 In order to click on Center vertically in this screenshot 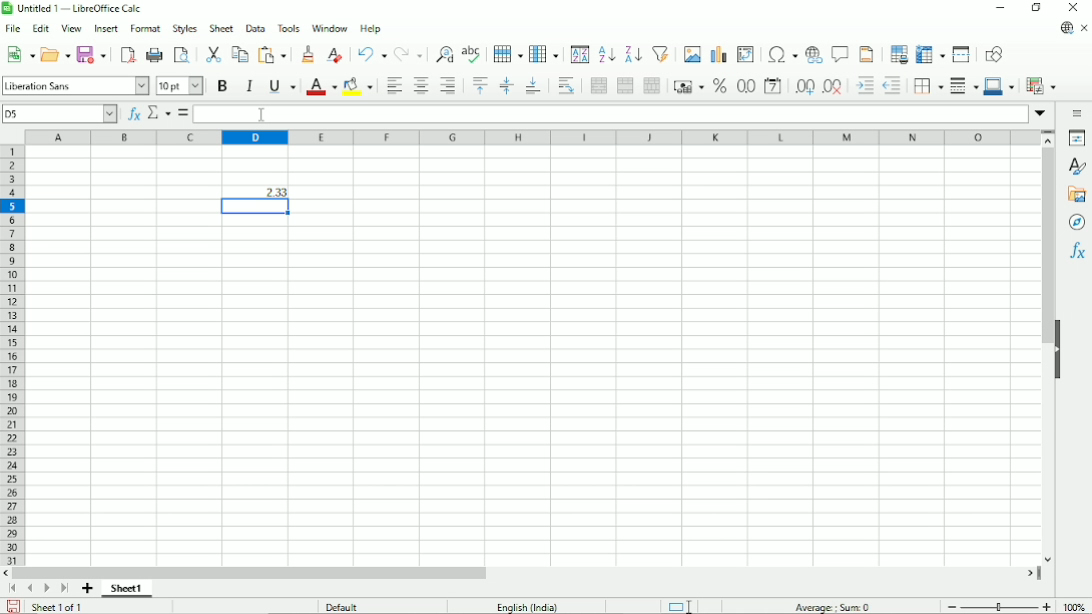, I will do `click(507, 86)`.